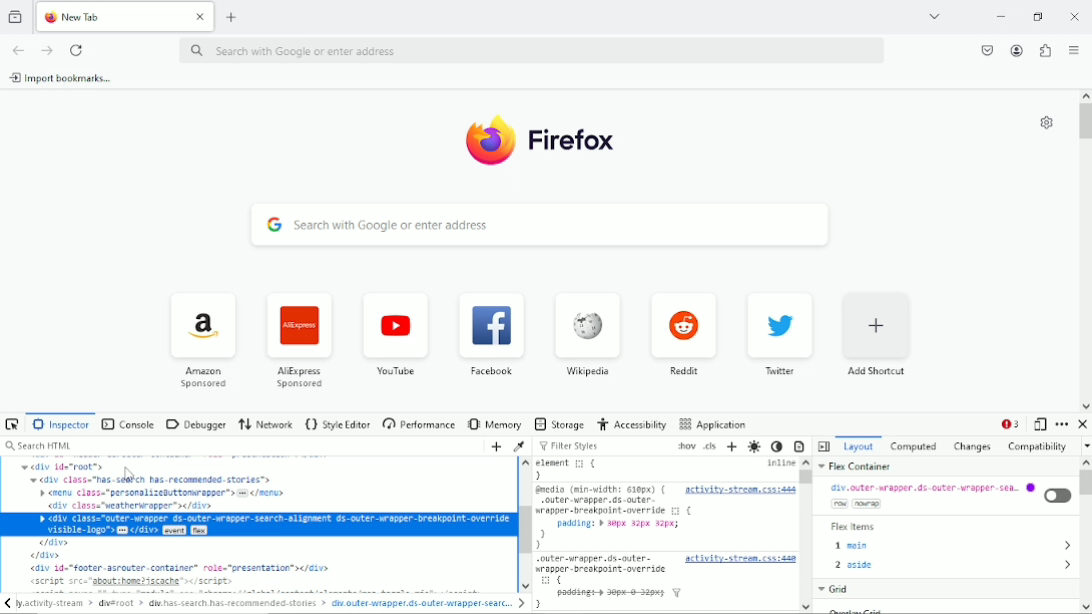 The height and width of the screenshot is (614, 1092). I want to click on element [] (), so click(569, 469).